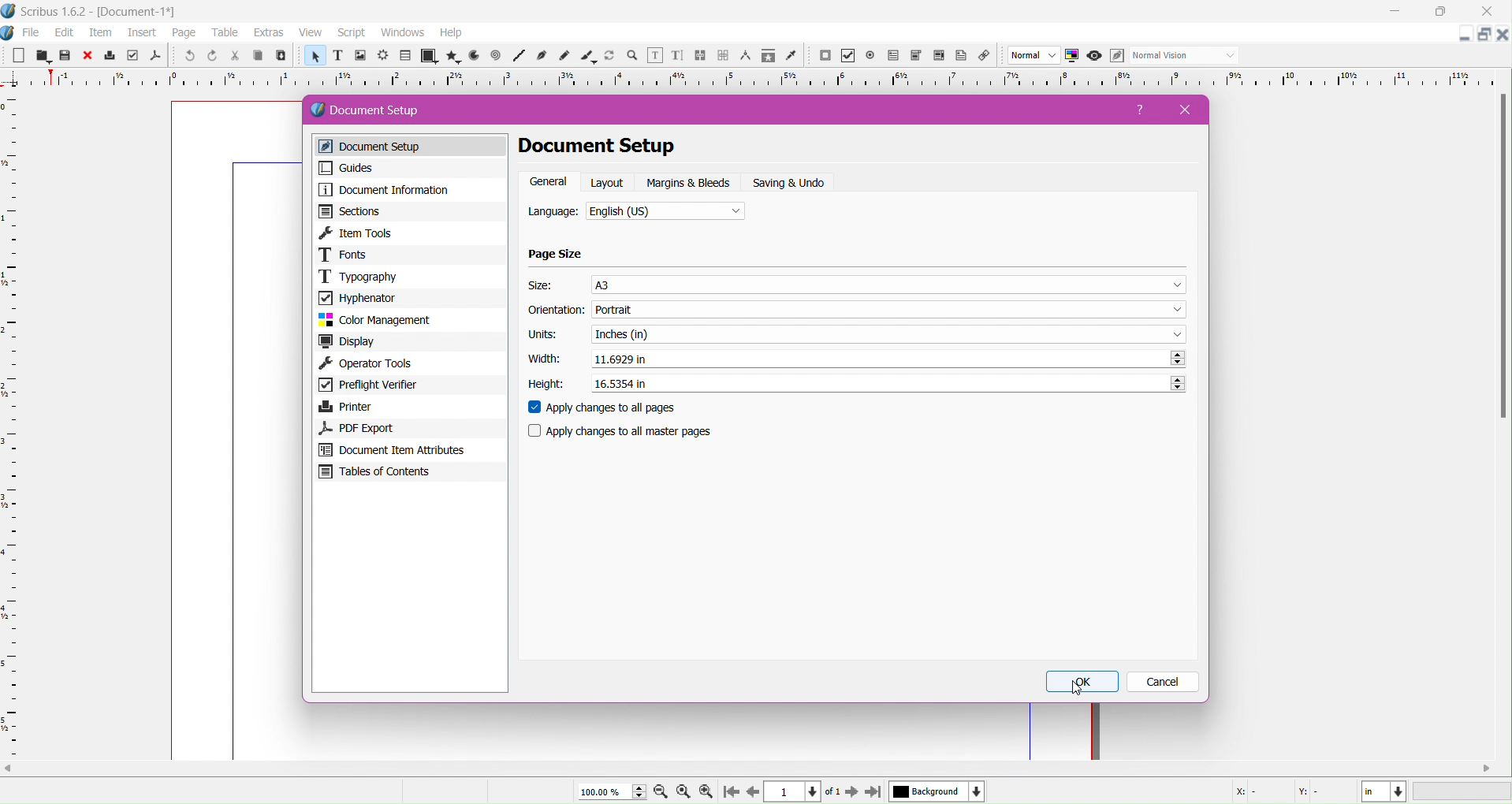  What do you see at coordinates (411, 342) in the screenshot?
I see `Display` at bounding box center [411, 342].